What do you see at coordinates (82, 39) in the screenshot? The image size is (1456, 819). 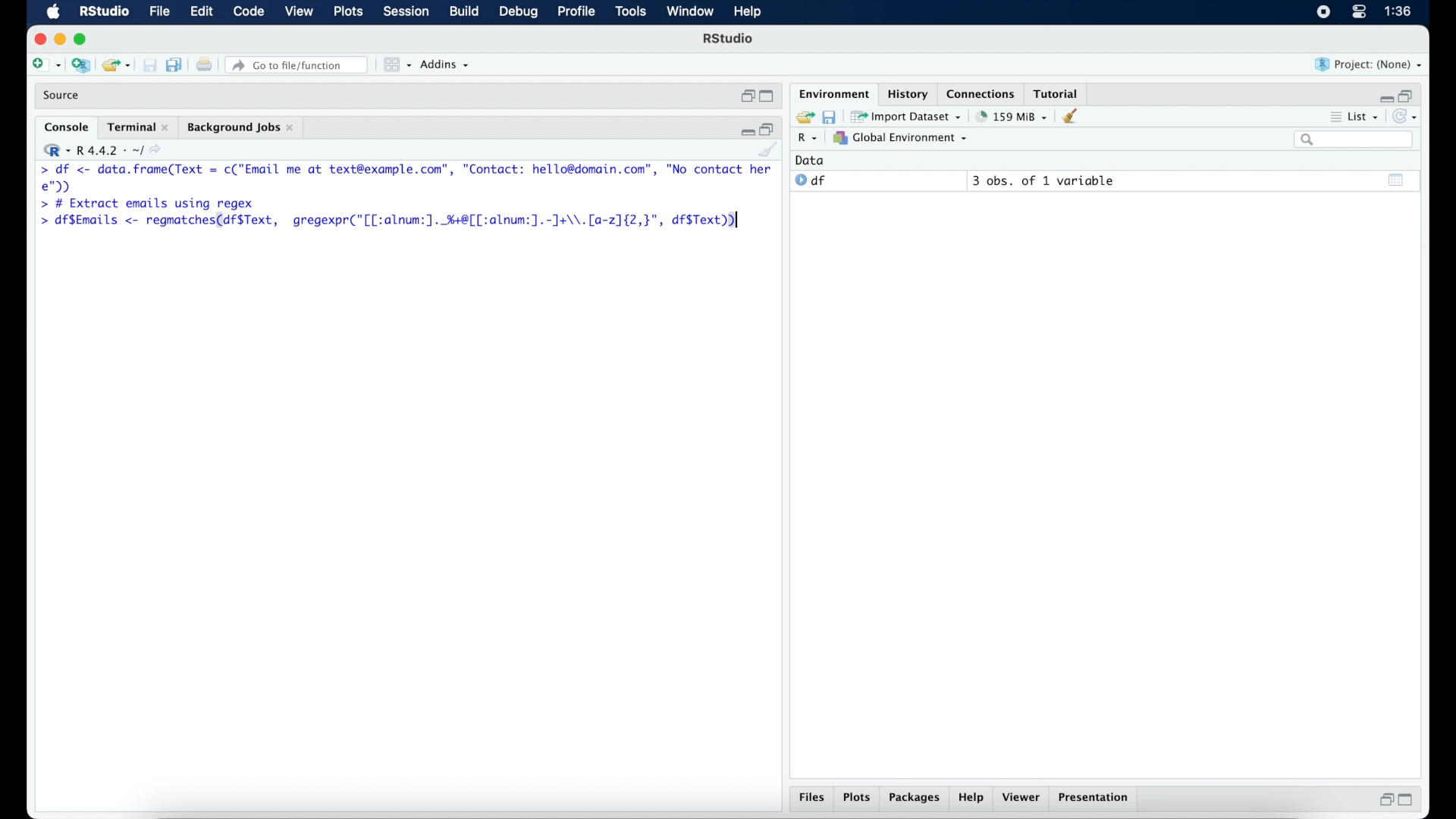 I see `maximize` at bounding box center [82, 39].